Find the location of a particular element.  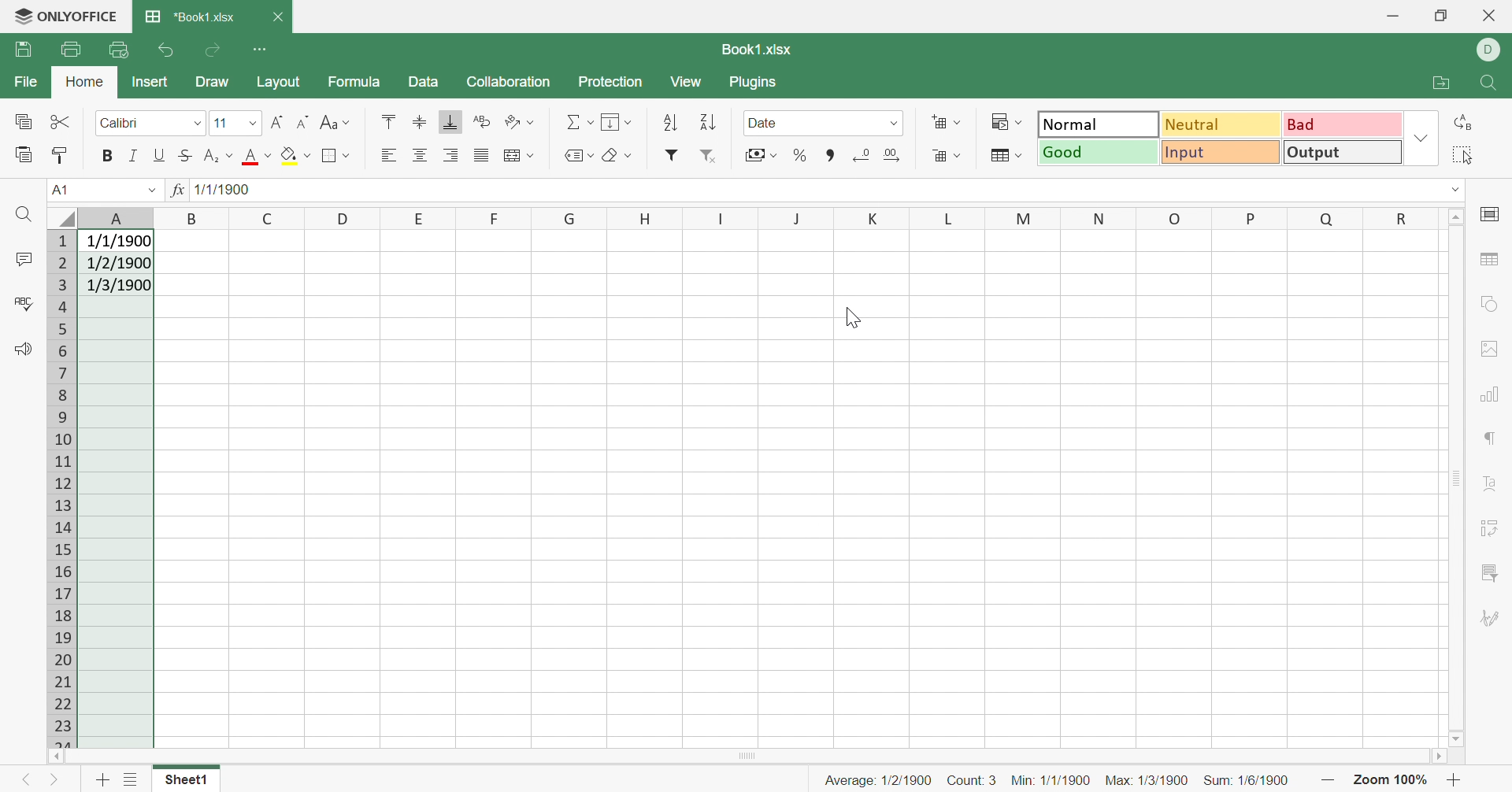

Subscript is located at coordinates (217, 156).